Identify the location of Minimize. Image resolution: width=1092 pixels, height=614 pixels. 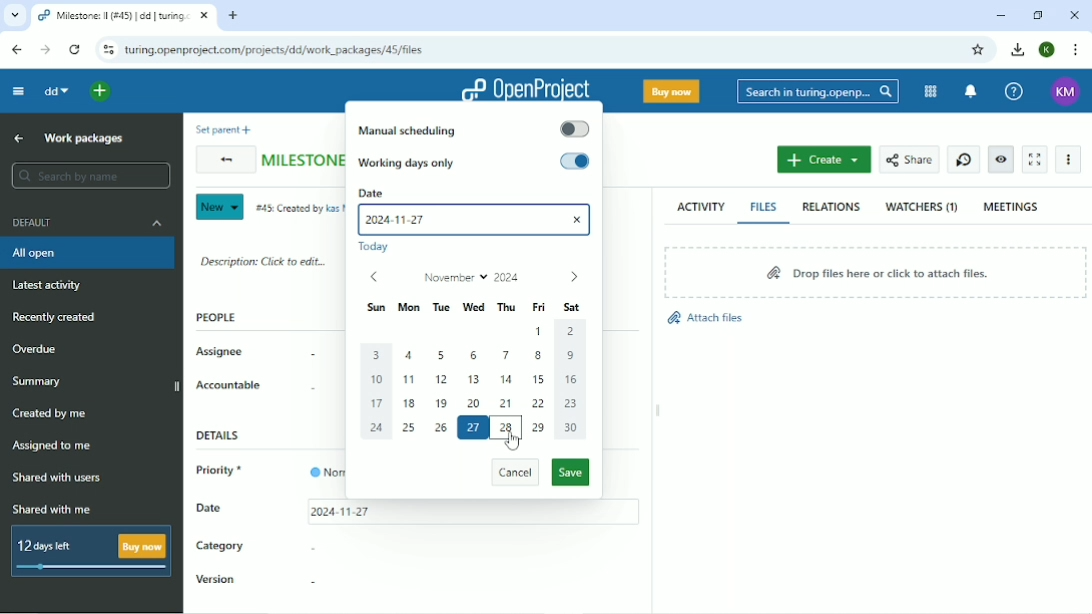
(1001, 15).